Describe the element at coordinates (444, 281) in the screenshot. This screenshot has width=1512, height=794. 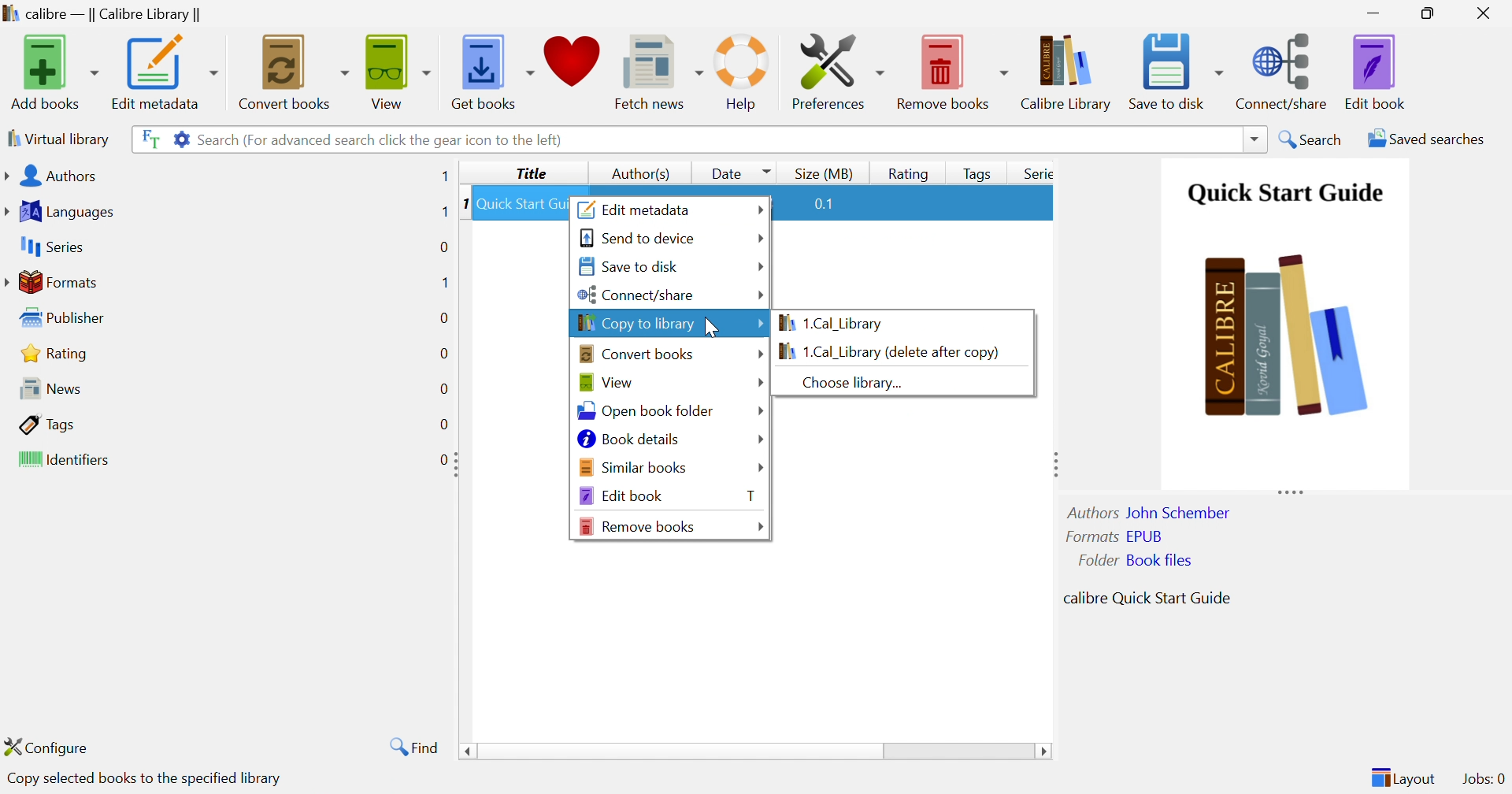
I see `1` at that location.